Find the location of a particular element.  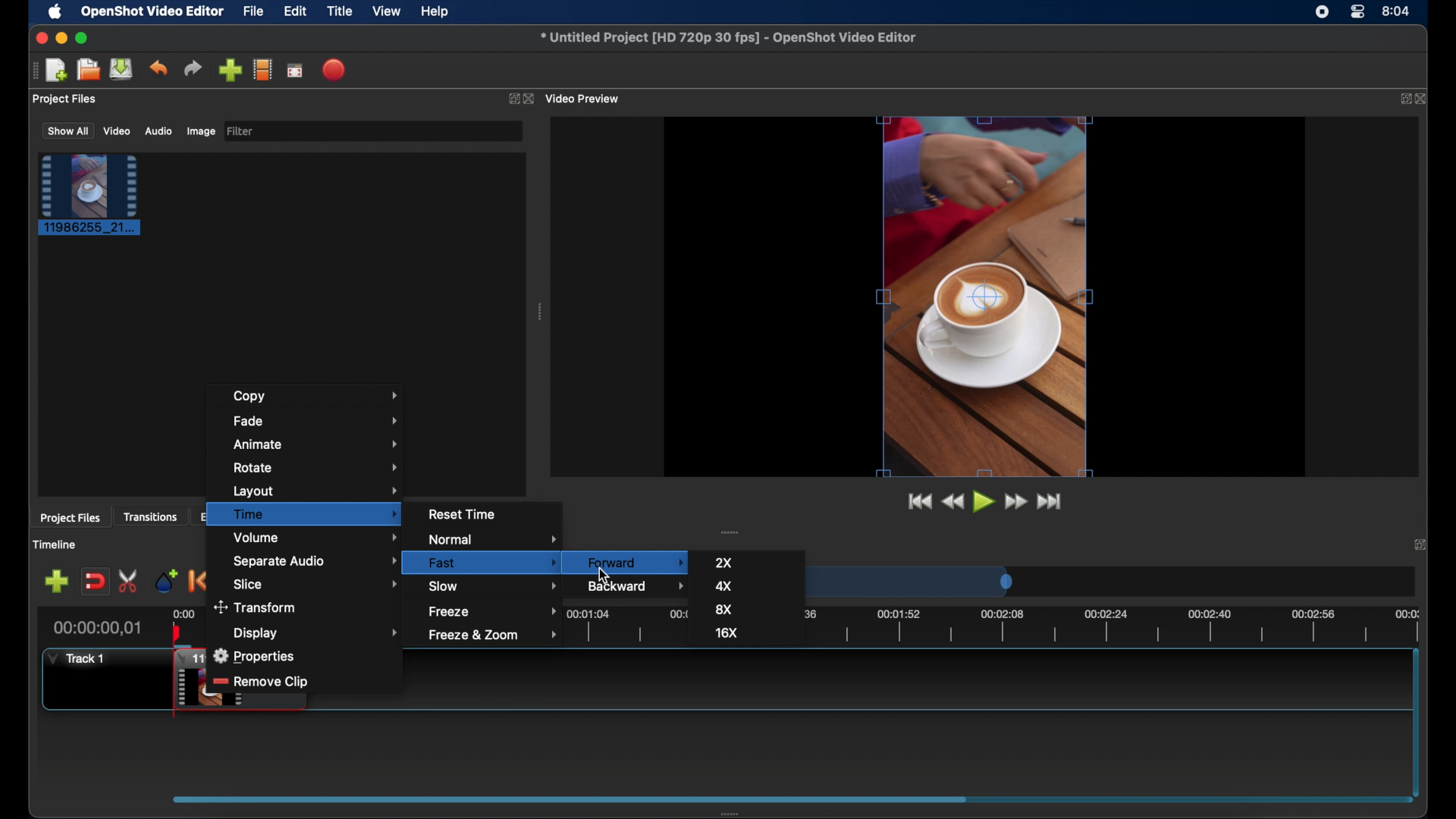

forward menu is located at coordinates (630, 560).